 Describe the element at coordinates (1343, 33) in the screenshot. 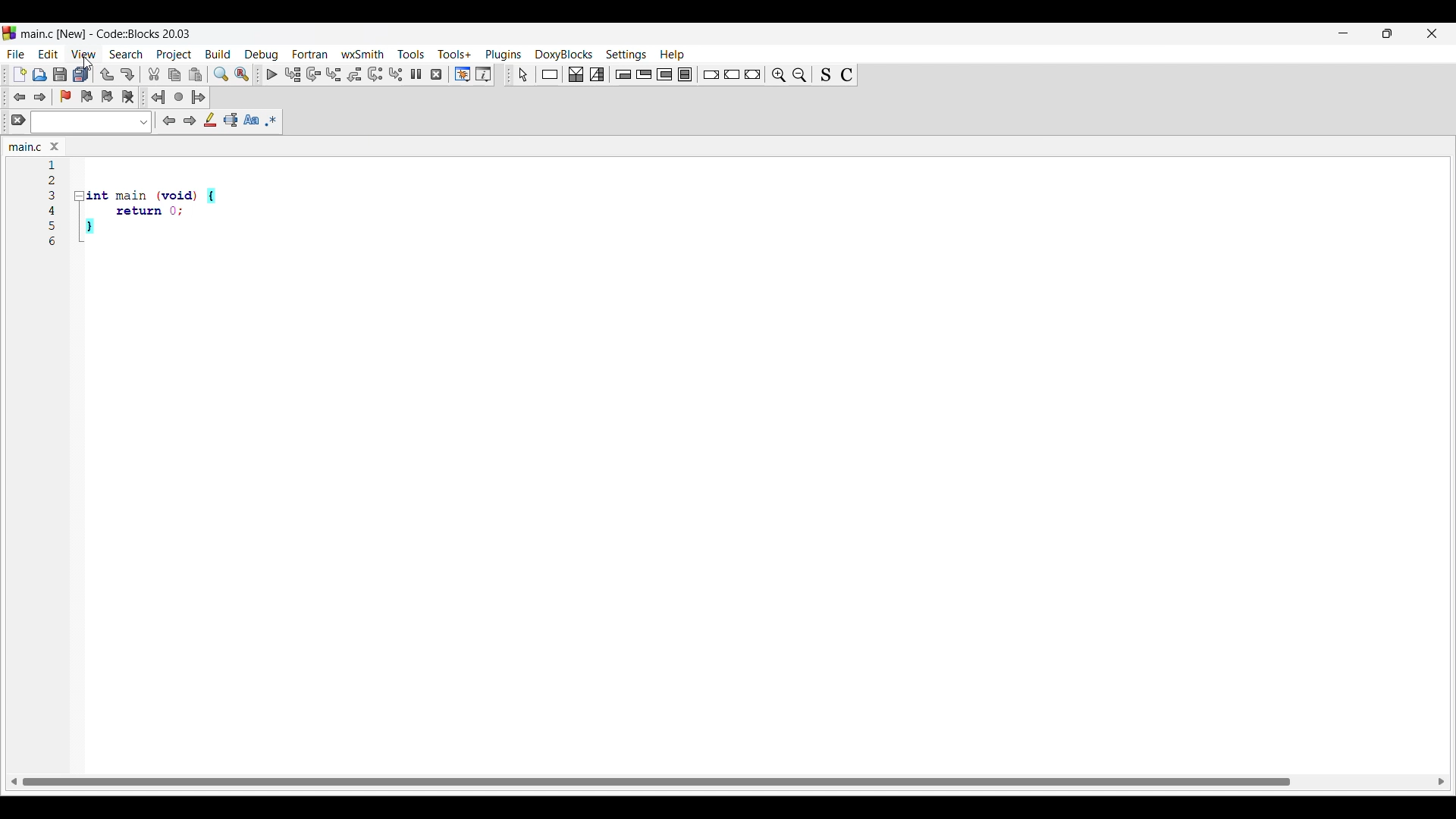

I see `Minimize` at that location.